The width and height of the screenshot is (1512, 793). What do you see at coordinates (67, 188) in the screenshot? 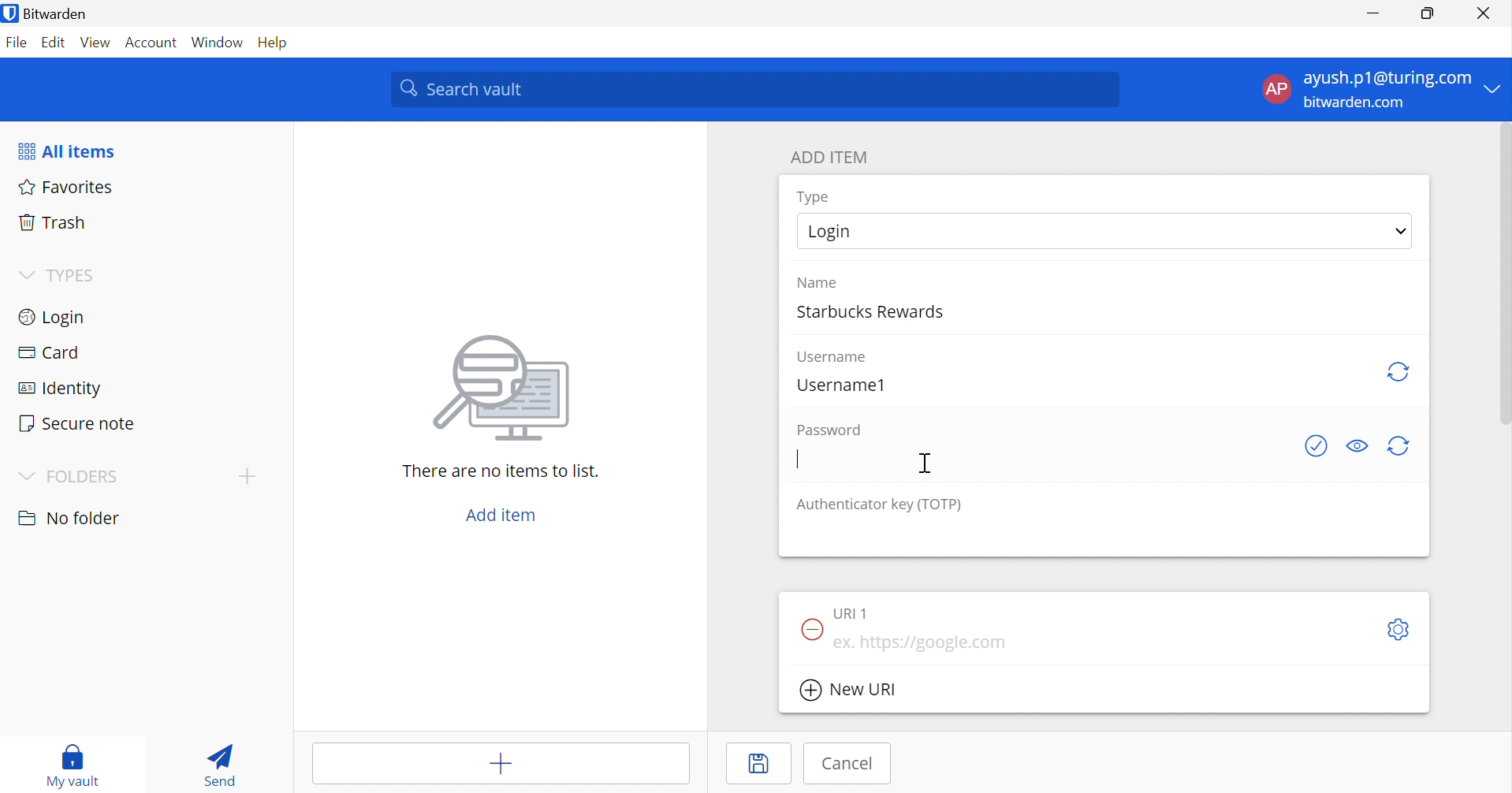
I see `Favorites` at bounding box center [67, 188].